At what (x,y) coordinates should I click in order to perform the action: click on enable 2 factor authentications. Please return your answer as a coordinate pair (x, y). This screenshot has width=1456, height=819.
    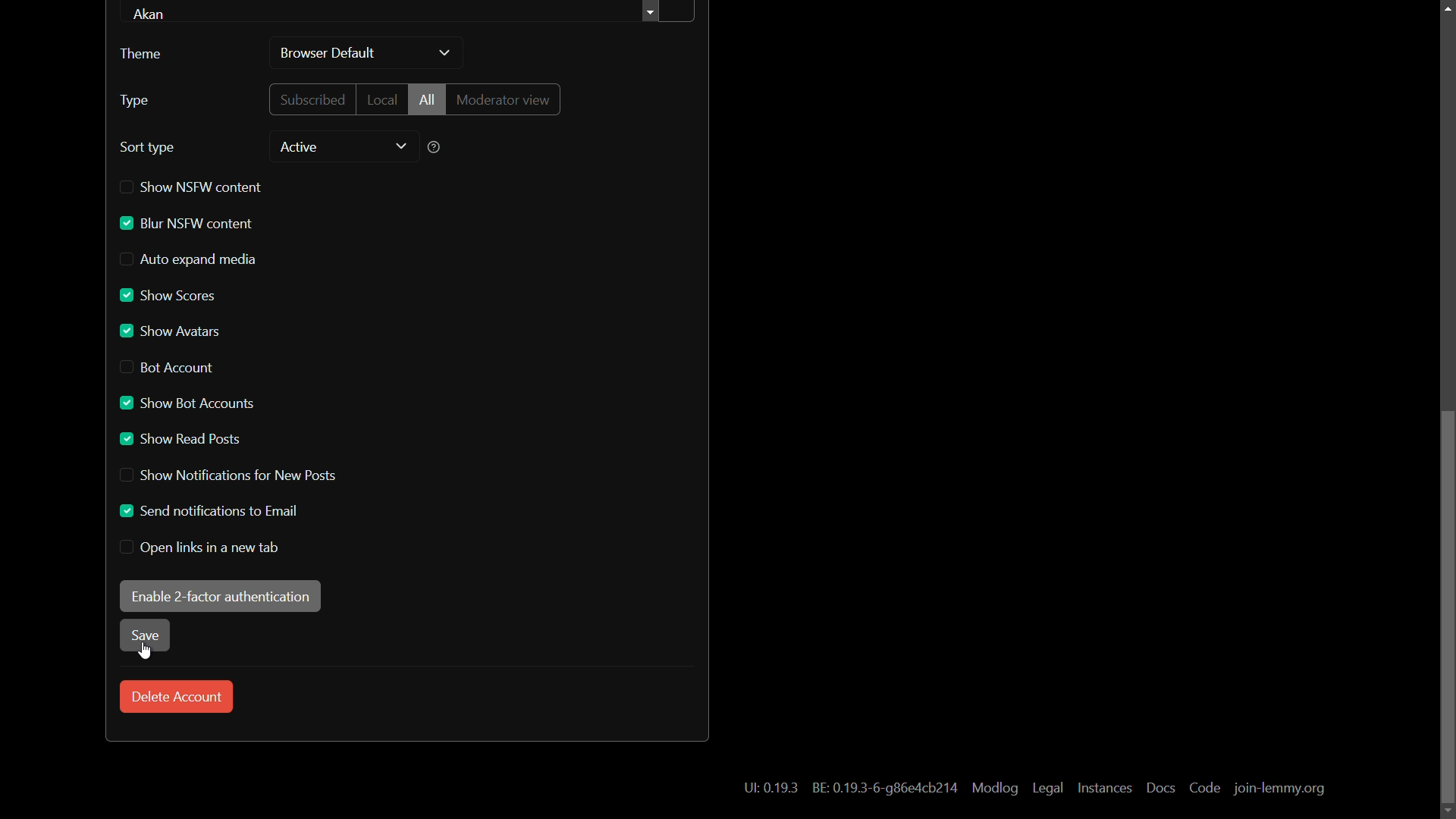
    Looking at the image, I should click on (220, 595).